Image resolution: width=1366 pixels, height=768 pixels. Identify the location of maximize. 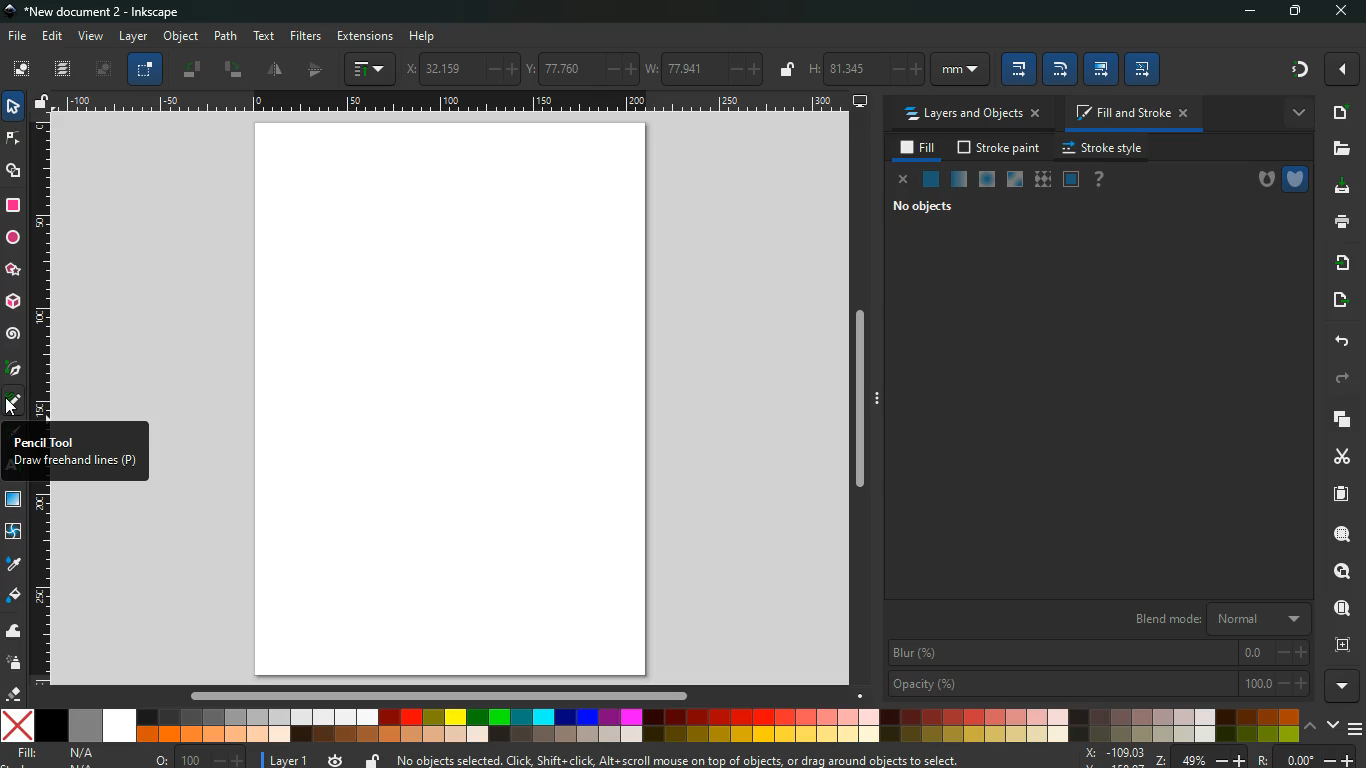
(1290, 11).